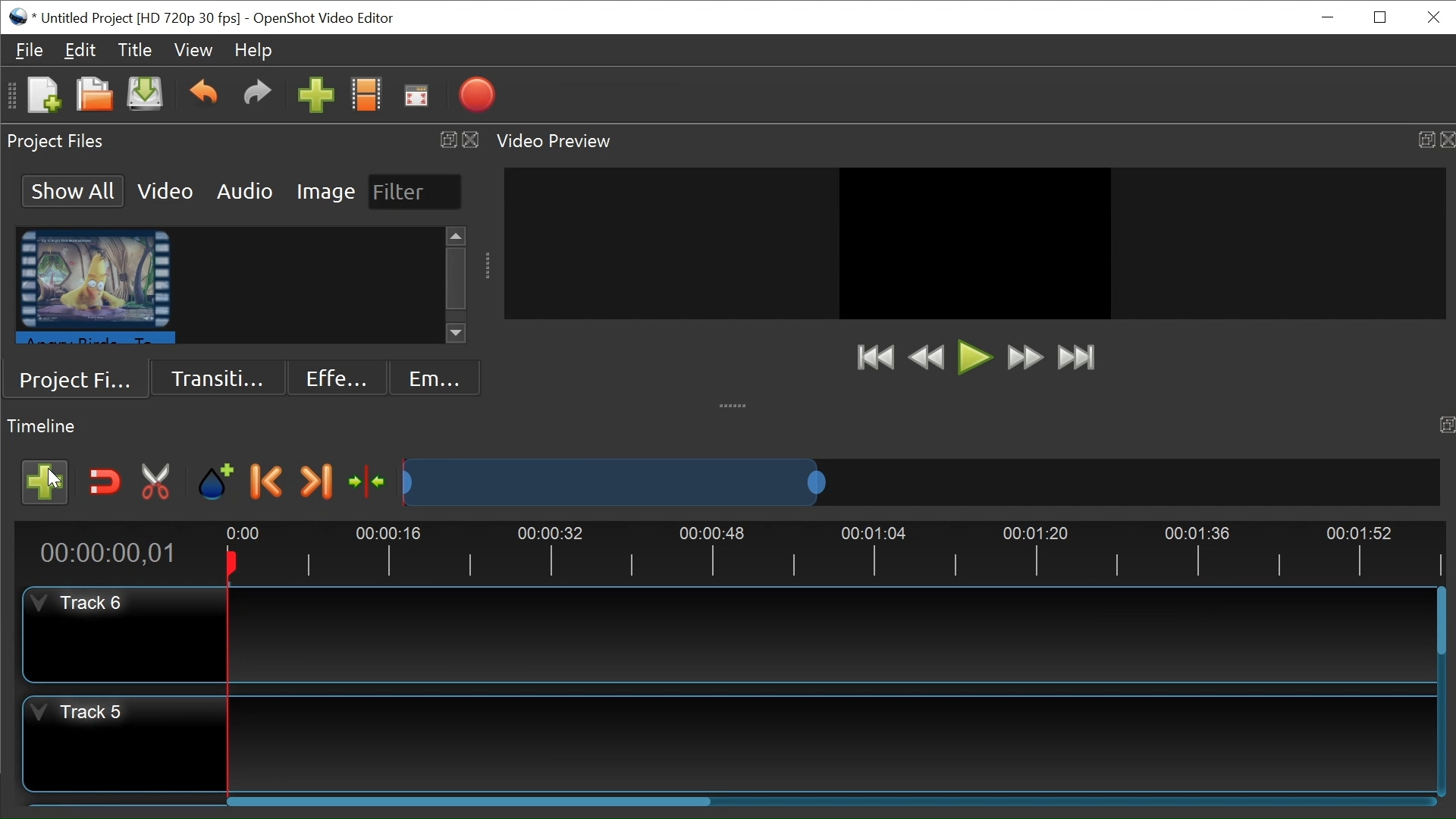  Describe the element at coordinates (96, 287) in the screenshot. I see `Clip` at that location.